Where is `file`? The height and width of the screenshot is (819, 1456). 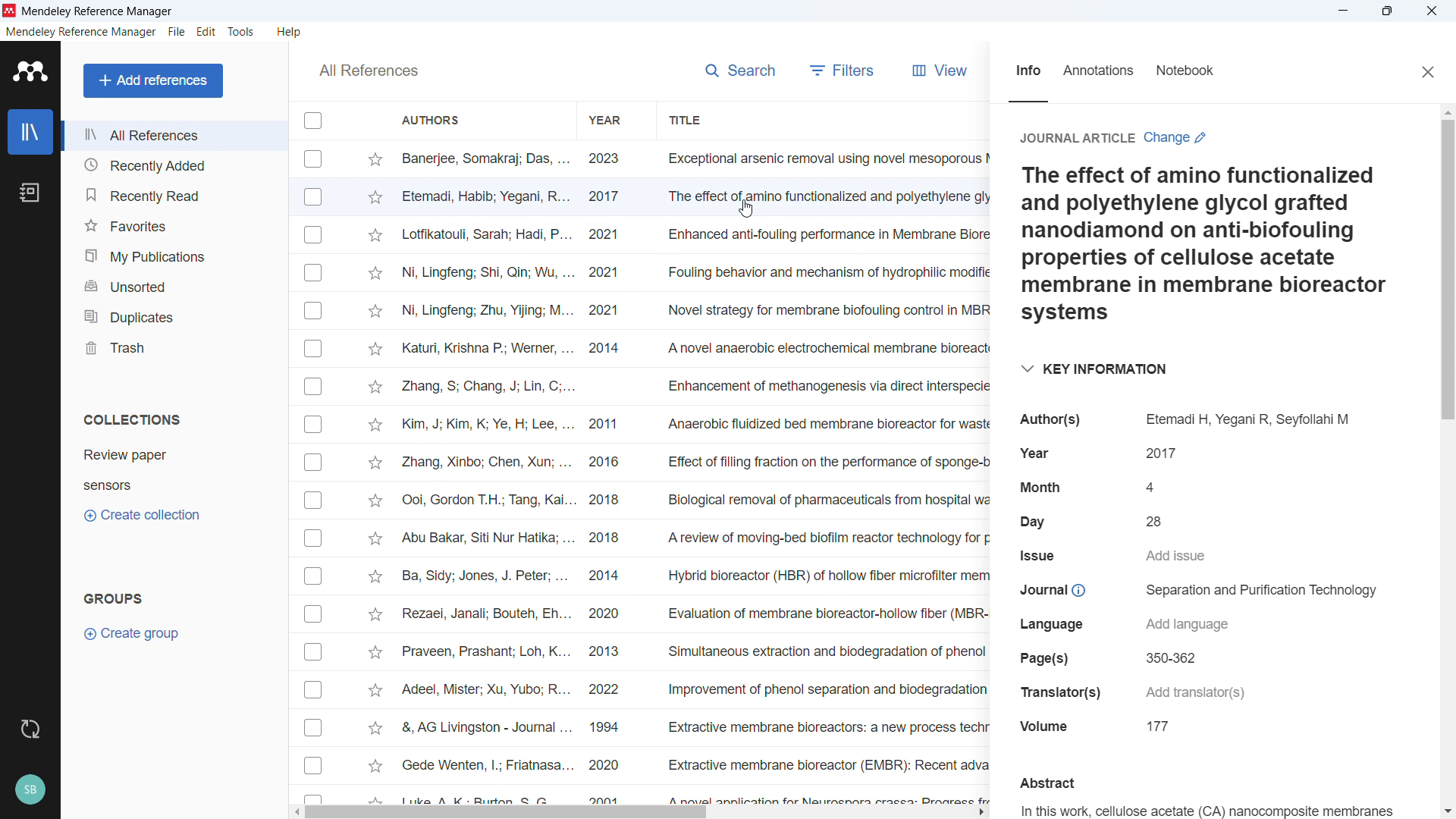 file is located at coordinates (177, 32).